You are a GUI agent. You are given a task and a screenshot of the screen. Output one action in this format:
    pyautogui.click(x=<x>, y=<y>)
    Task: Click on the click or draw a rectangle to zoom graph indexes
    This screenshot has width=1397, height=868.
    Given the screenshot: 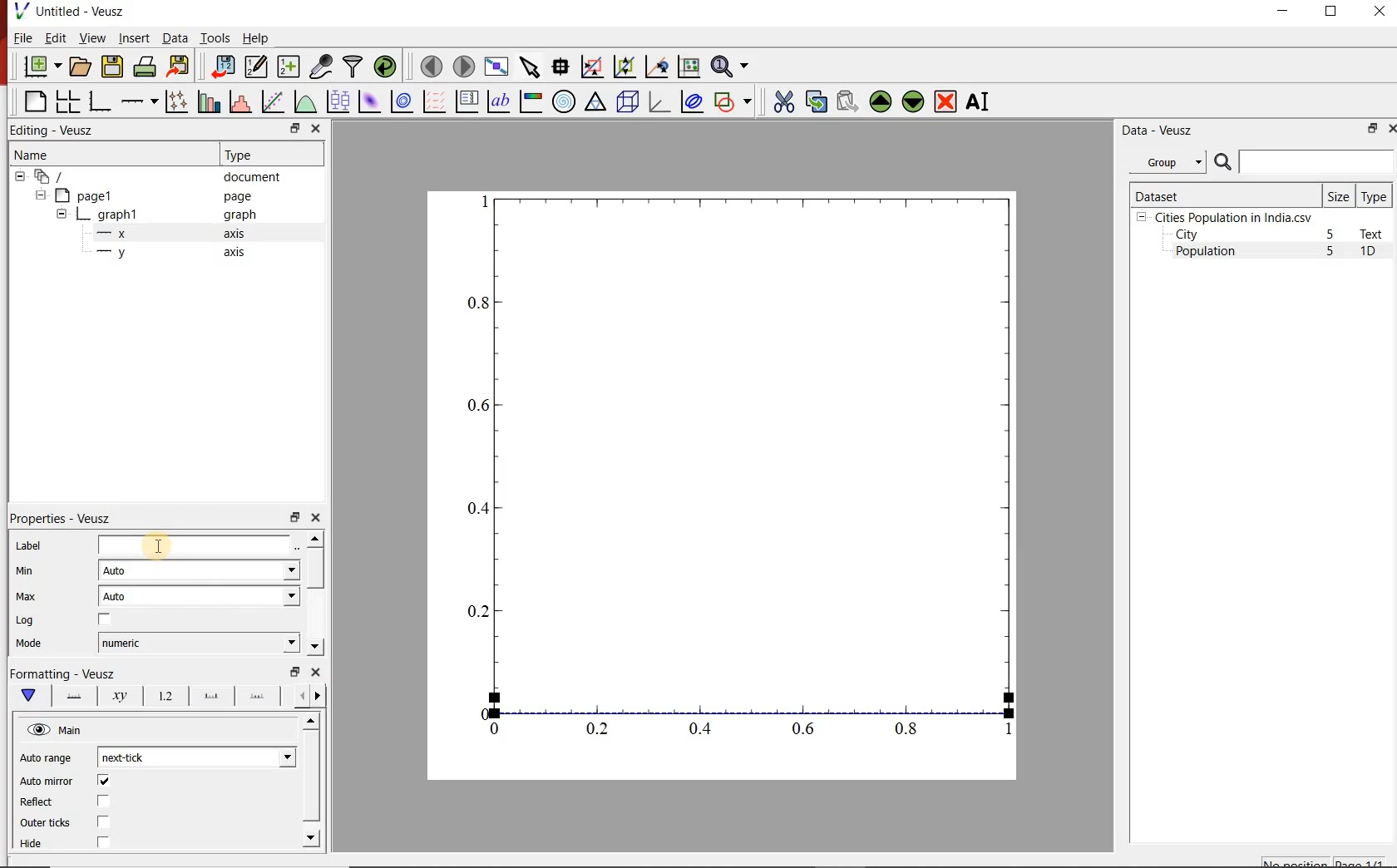 What is the action you would take?
    pyautogui.click(x=590, y=66)
    